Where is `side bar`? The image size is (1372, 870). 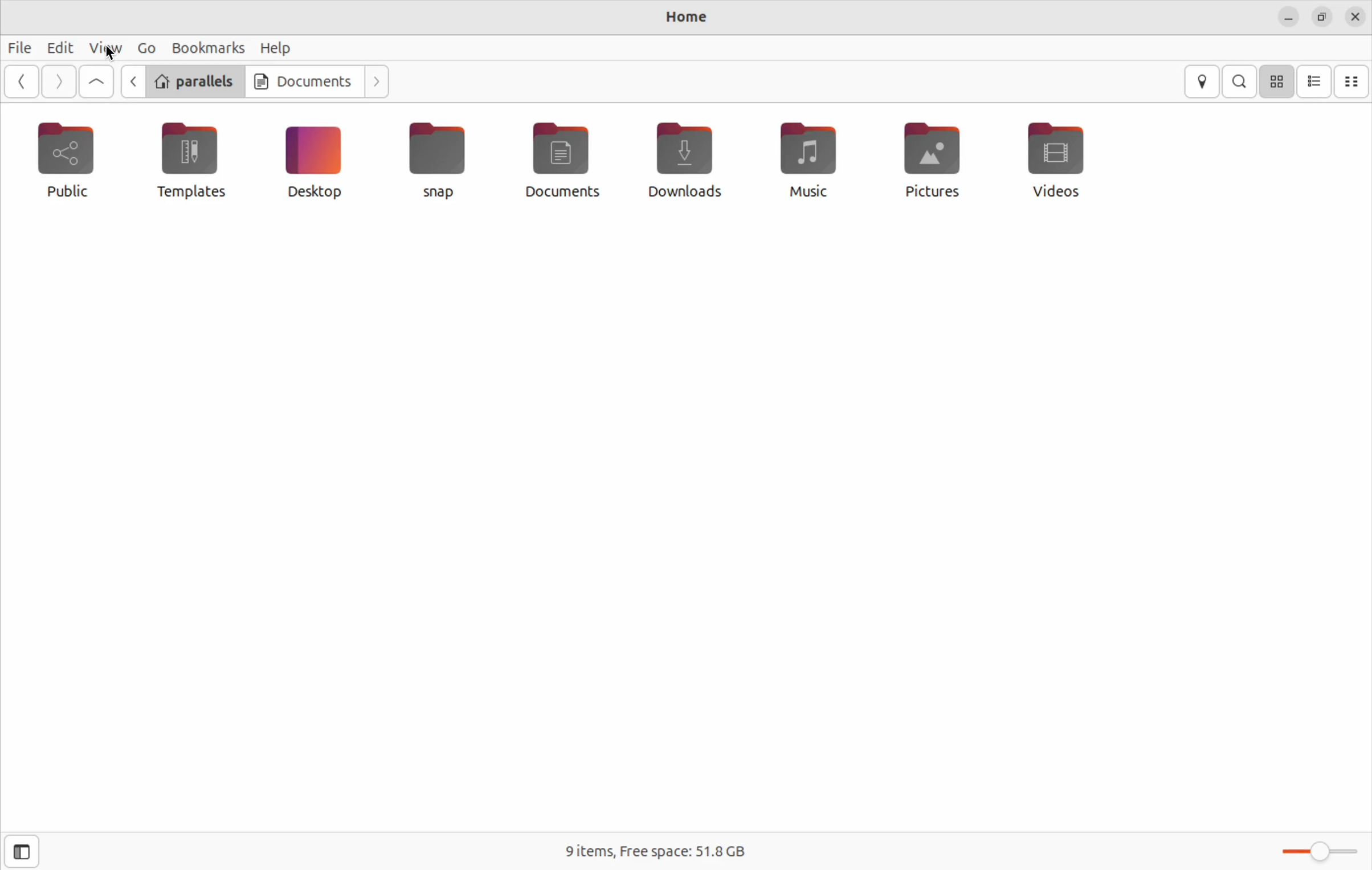 side bar is located at coordinates (19, 852).